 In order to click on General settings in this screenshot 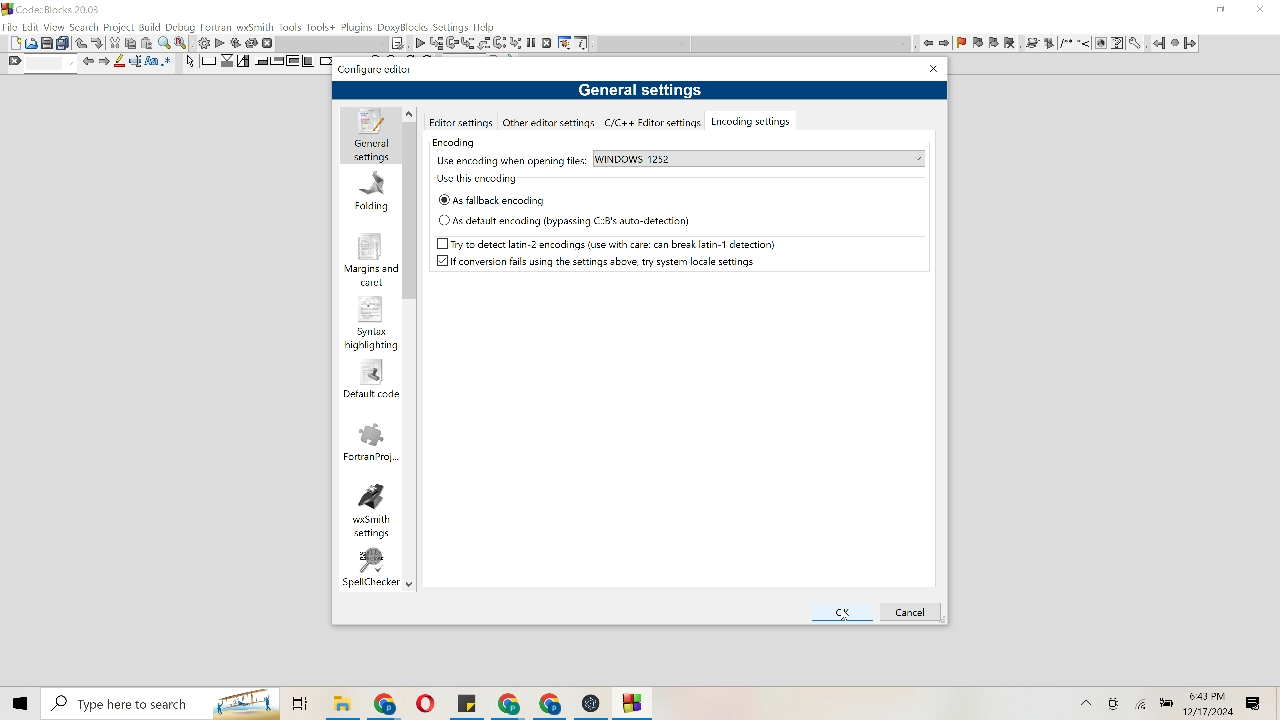, I will do `click(371, 134)`.